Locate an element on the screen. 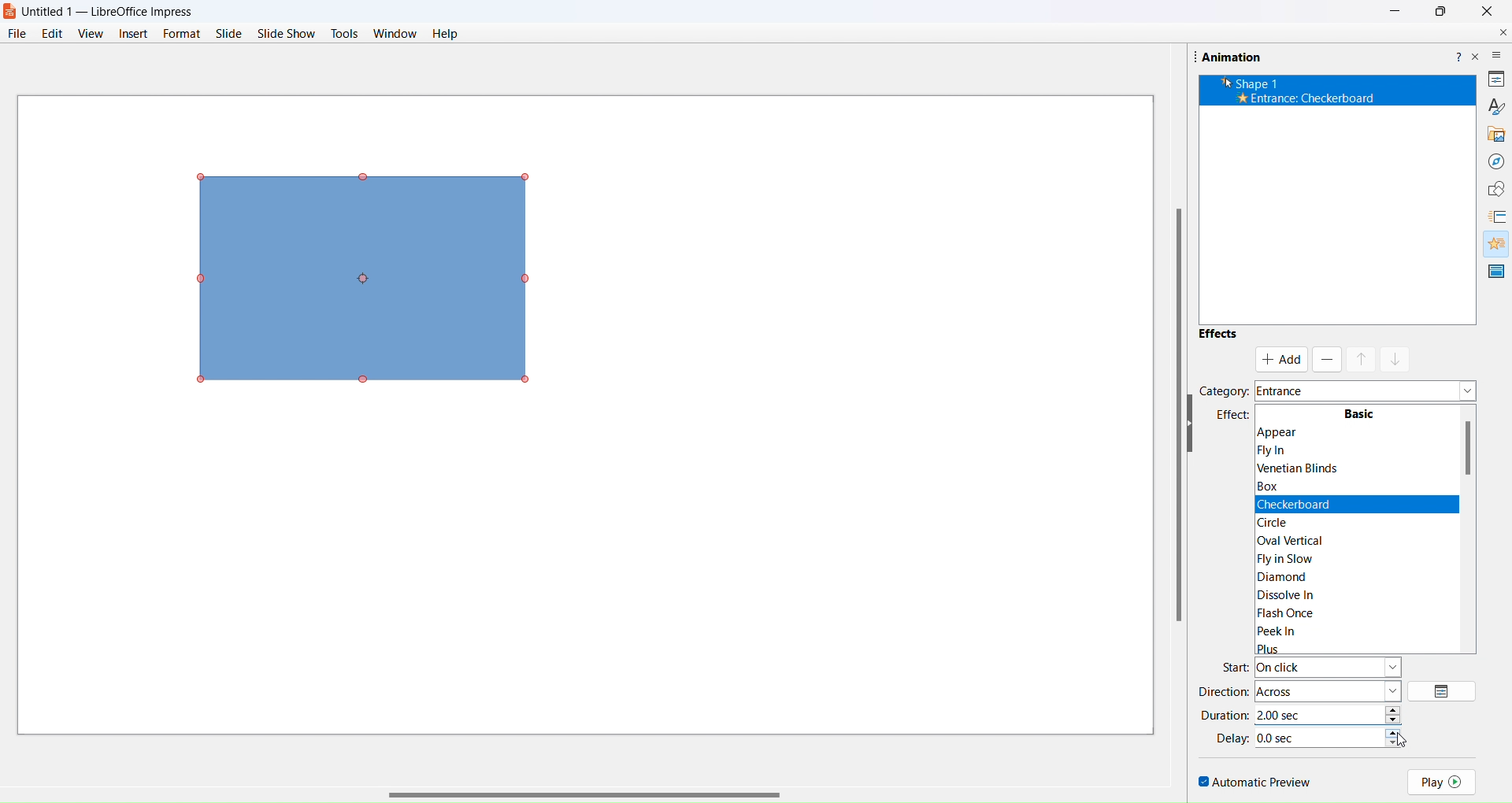  insert is located at coordinates (133, 32).